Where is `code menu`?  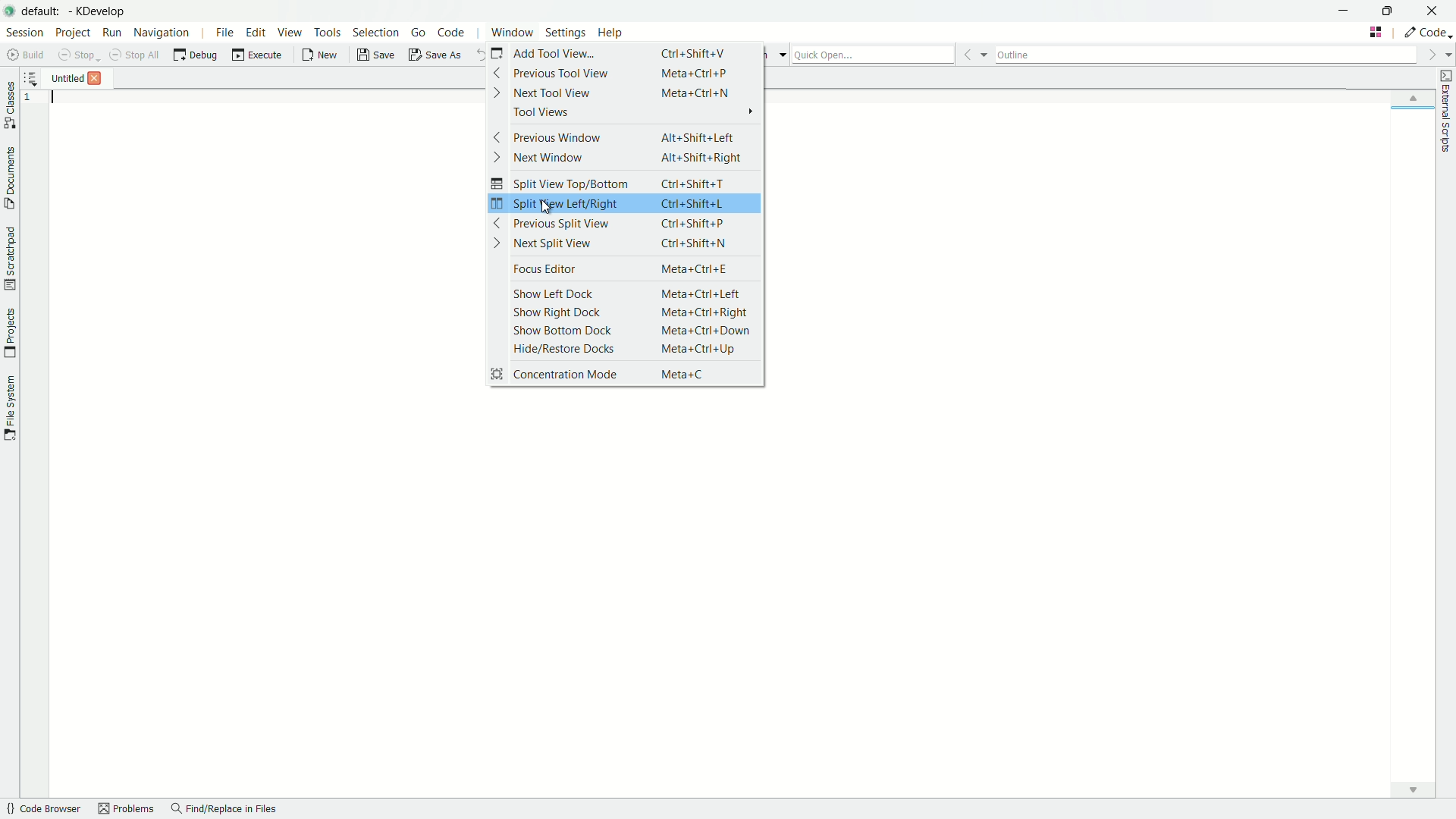
code menu is located at coordinates (451, 33).